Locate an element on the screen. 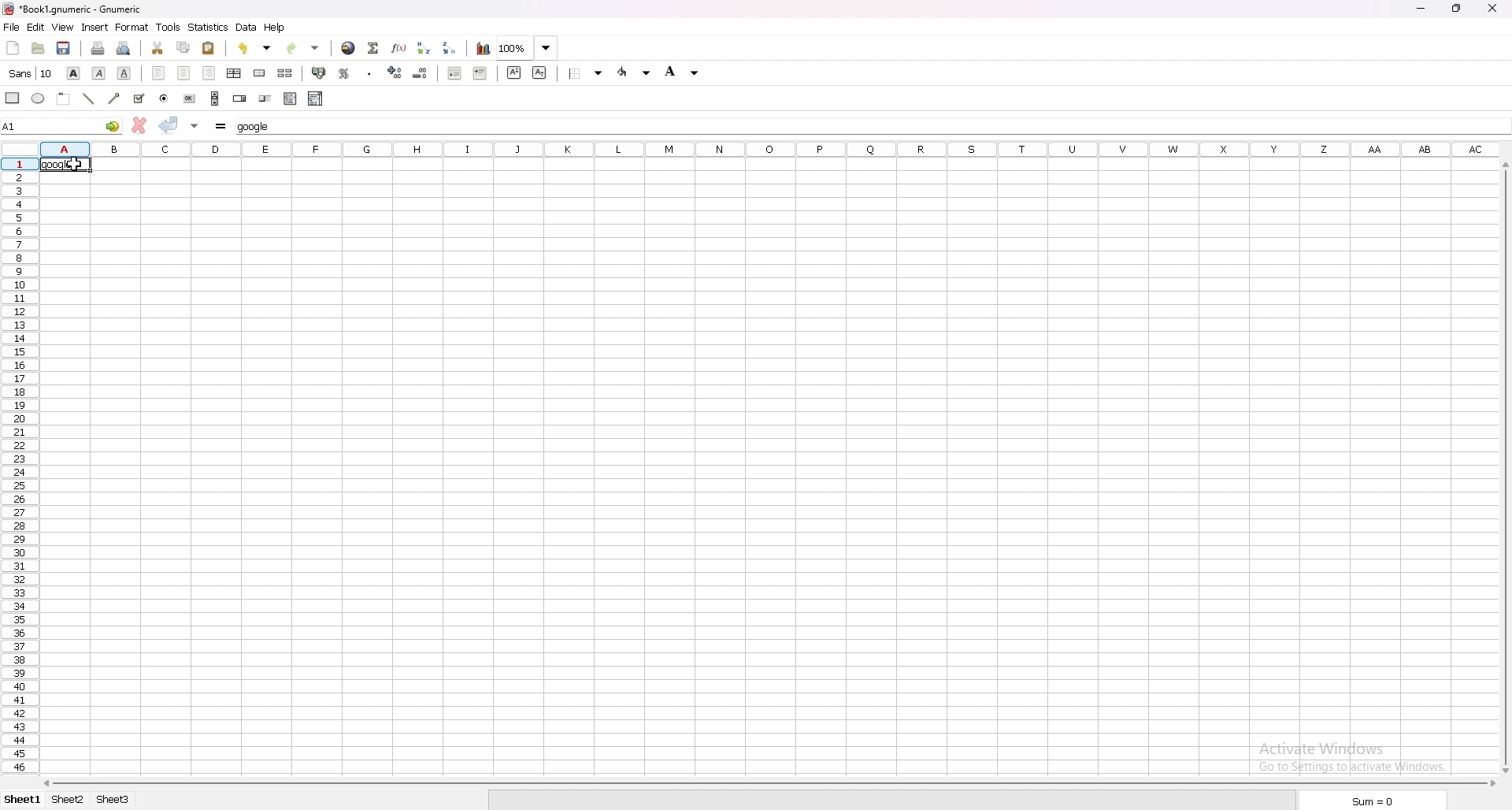 The height and width of the screenshot is (810, 1512). scroll bar is located at coordinates (215, 98).